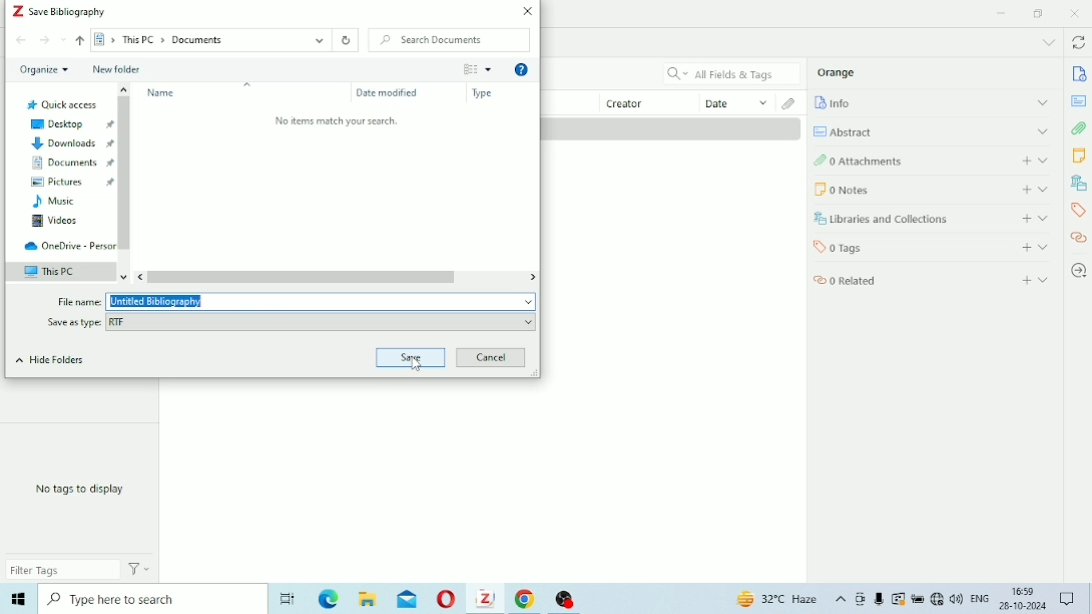 The image size is (1092, 614). What do you see at coordinates (72, 163) in the screenshot?
I see `Documents` at bounding box center [72, 163].